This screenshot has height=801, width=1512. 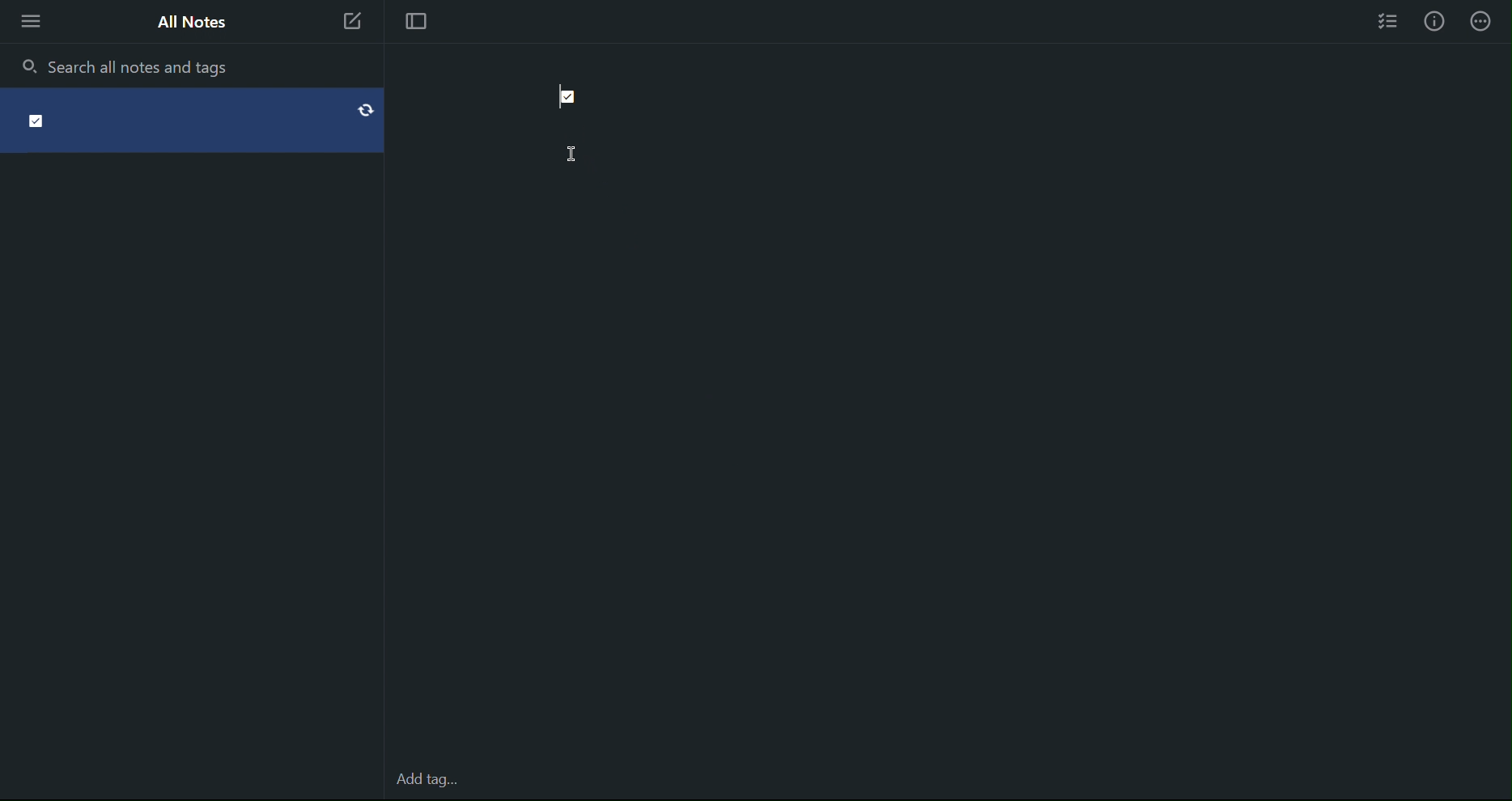 What do you see at coordinates (431, 783) in the screenshot?
I see `Add tag` at bounding box center [431, 783].